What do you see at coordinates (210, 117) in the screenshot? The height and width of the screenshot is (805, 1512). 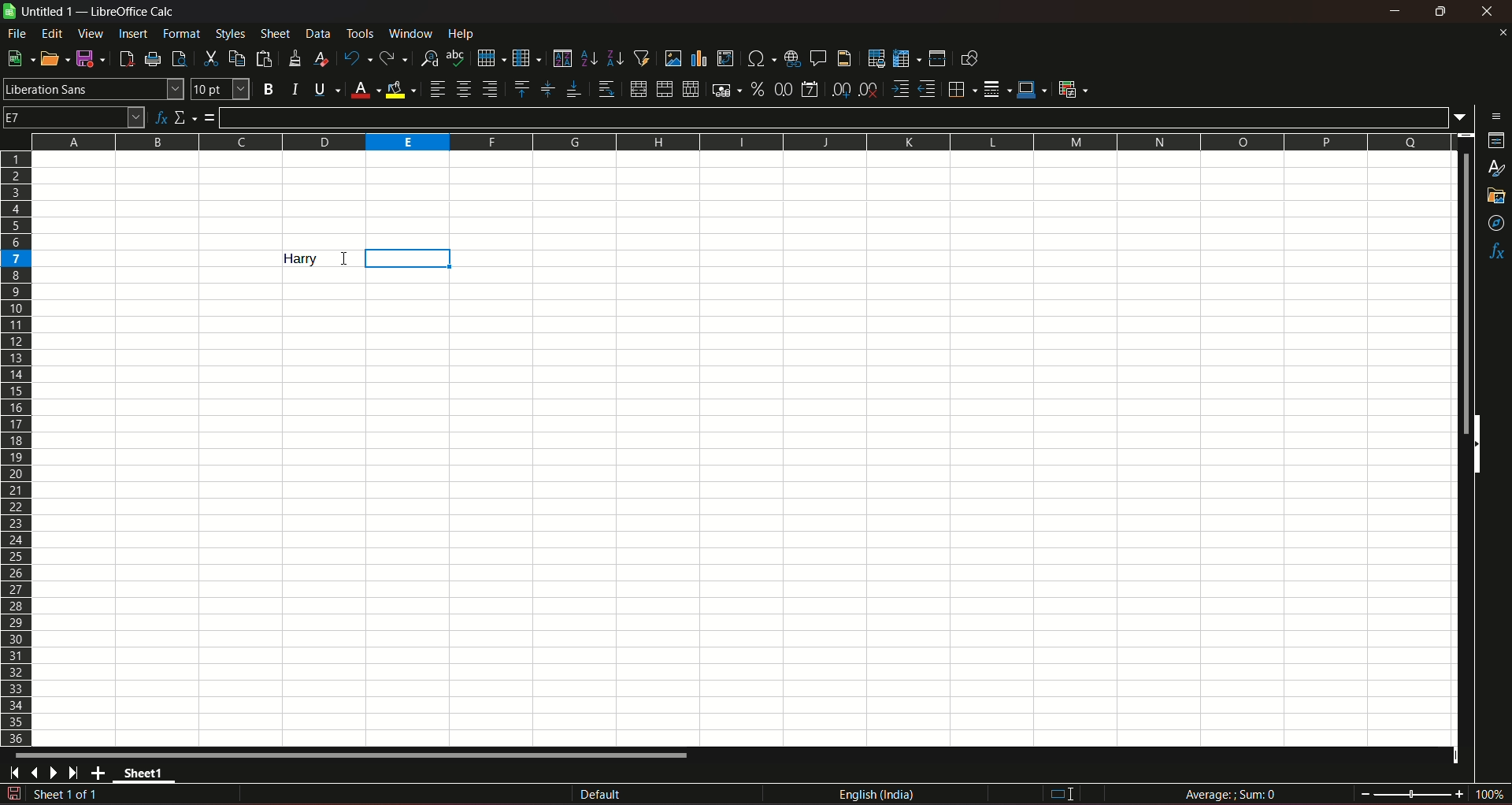 I see `formula` at bounding box center [210, 117].